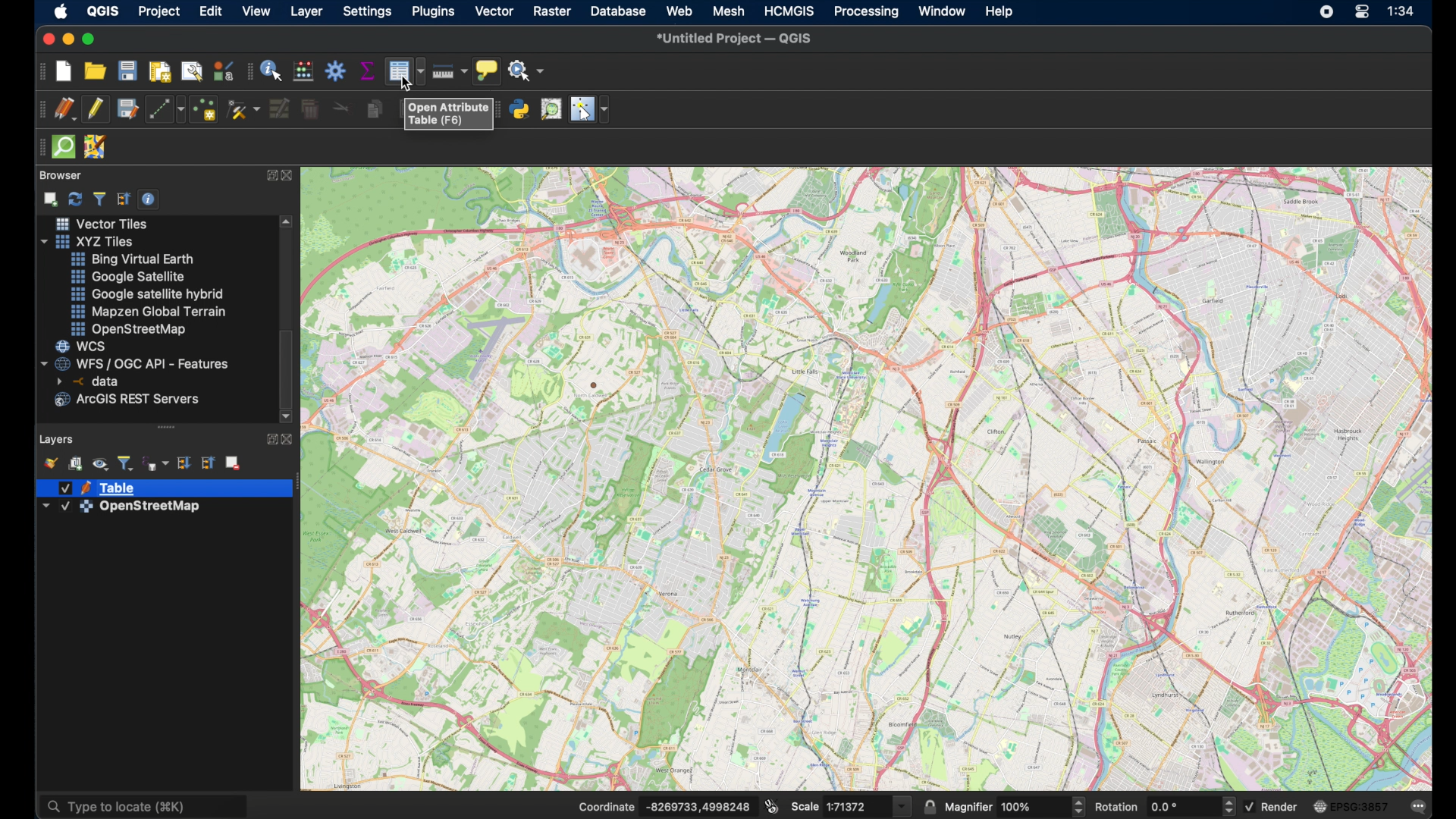  What do you see at coordinates (125, 69) in the screenshot?
I see `save project` at bounding box center [125, 69].